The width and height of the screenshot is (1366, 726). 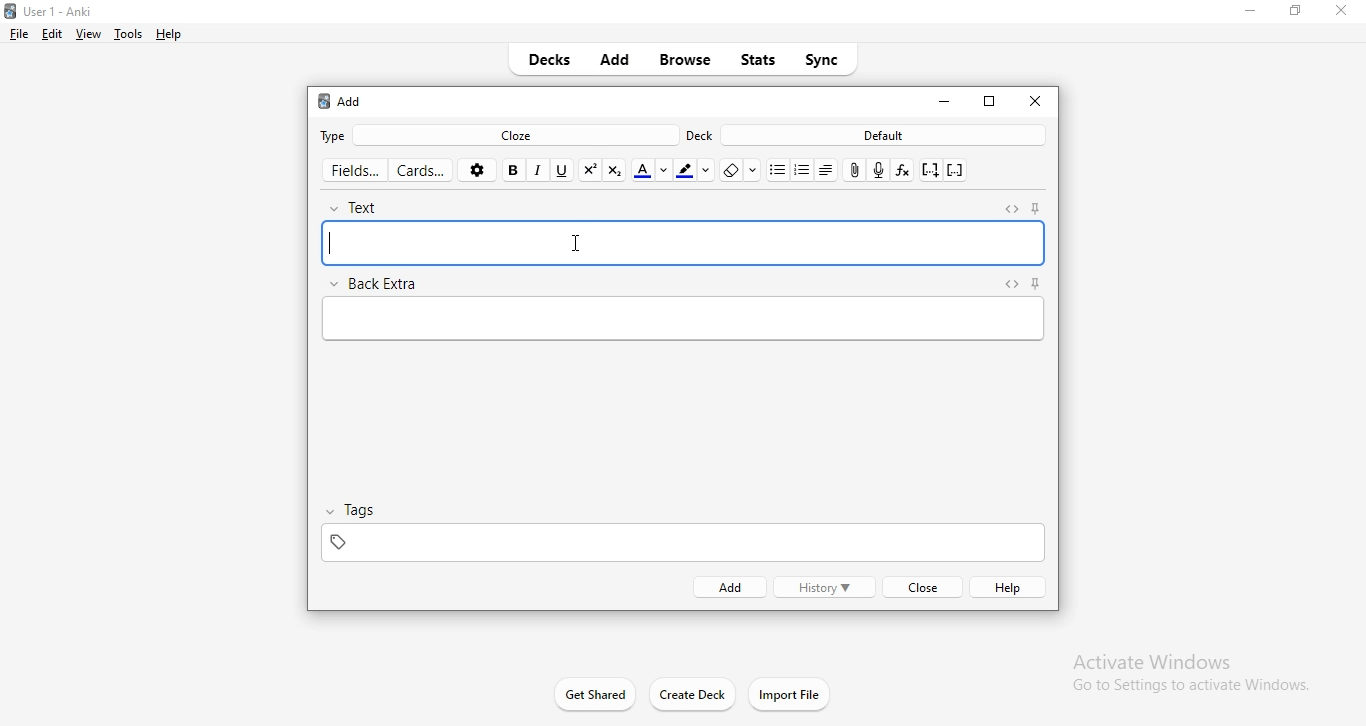 I want to click on tag box, so click(x=678, y=541).